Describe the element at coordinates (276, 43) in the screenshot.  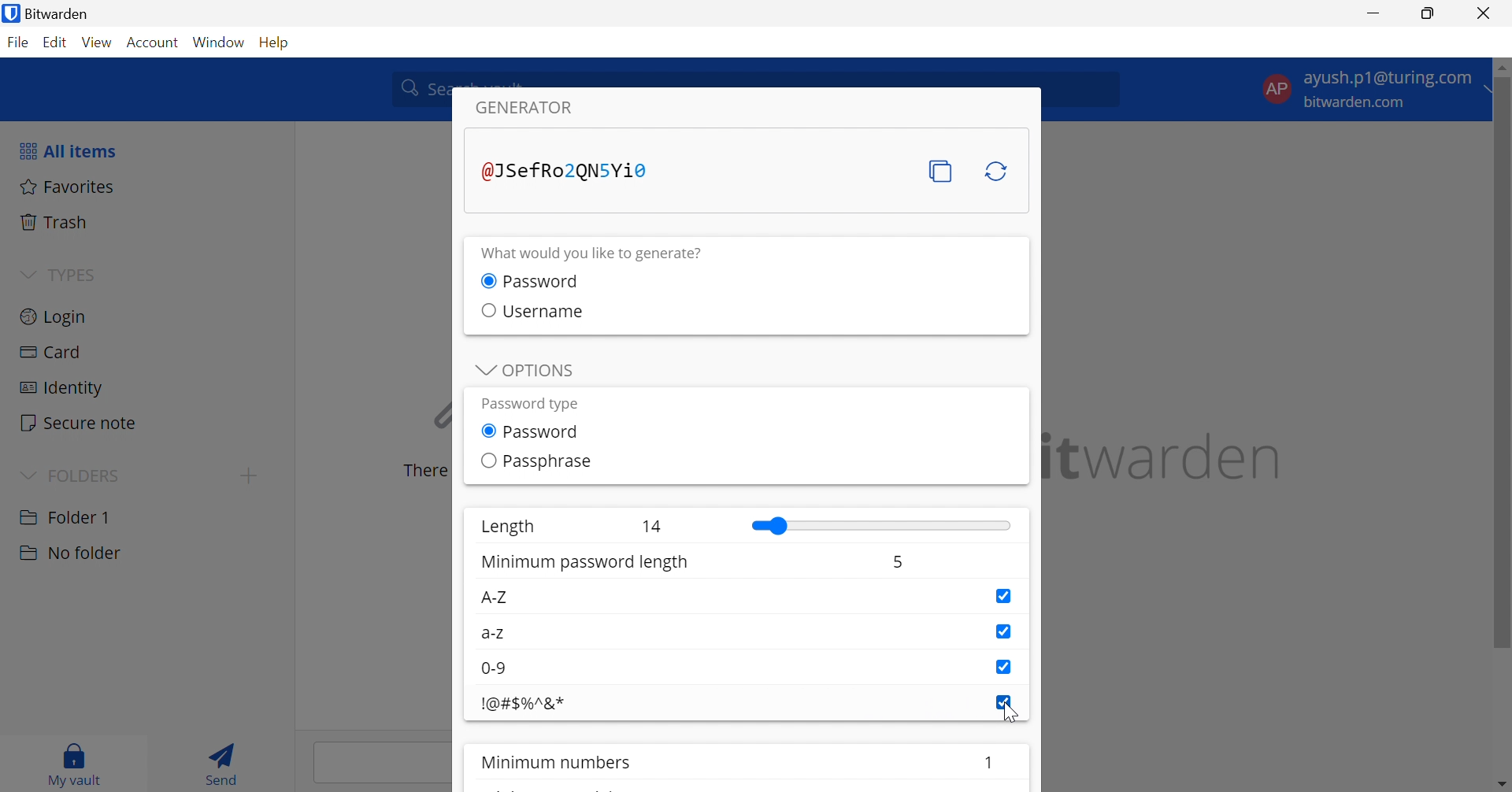
I see `Help` at that location.